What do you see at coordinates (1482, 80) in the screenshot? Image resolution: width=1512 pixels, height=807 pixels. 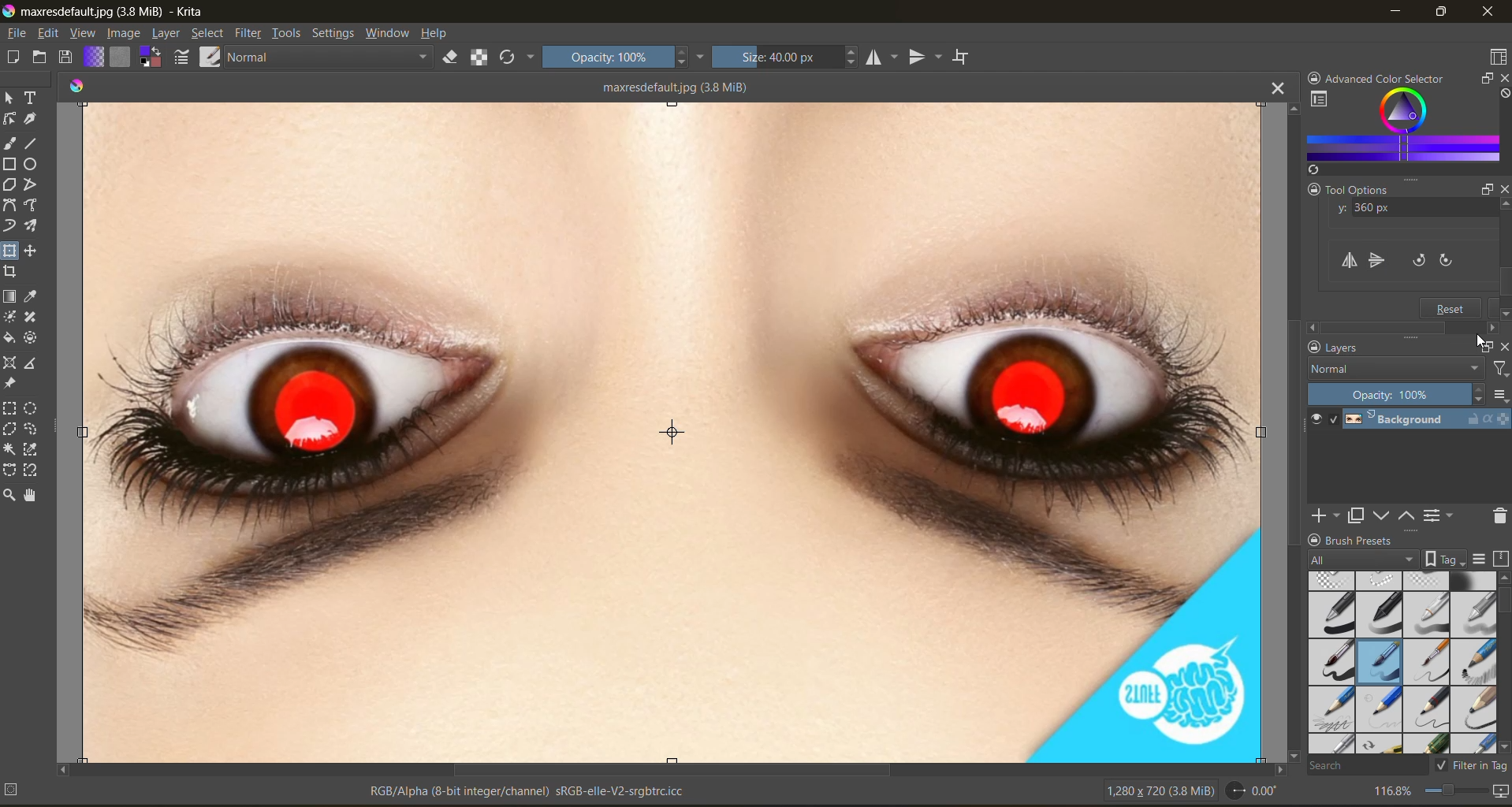 I see `float docker` at bounding box center [1482, 80].